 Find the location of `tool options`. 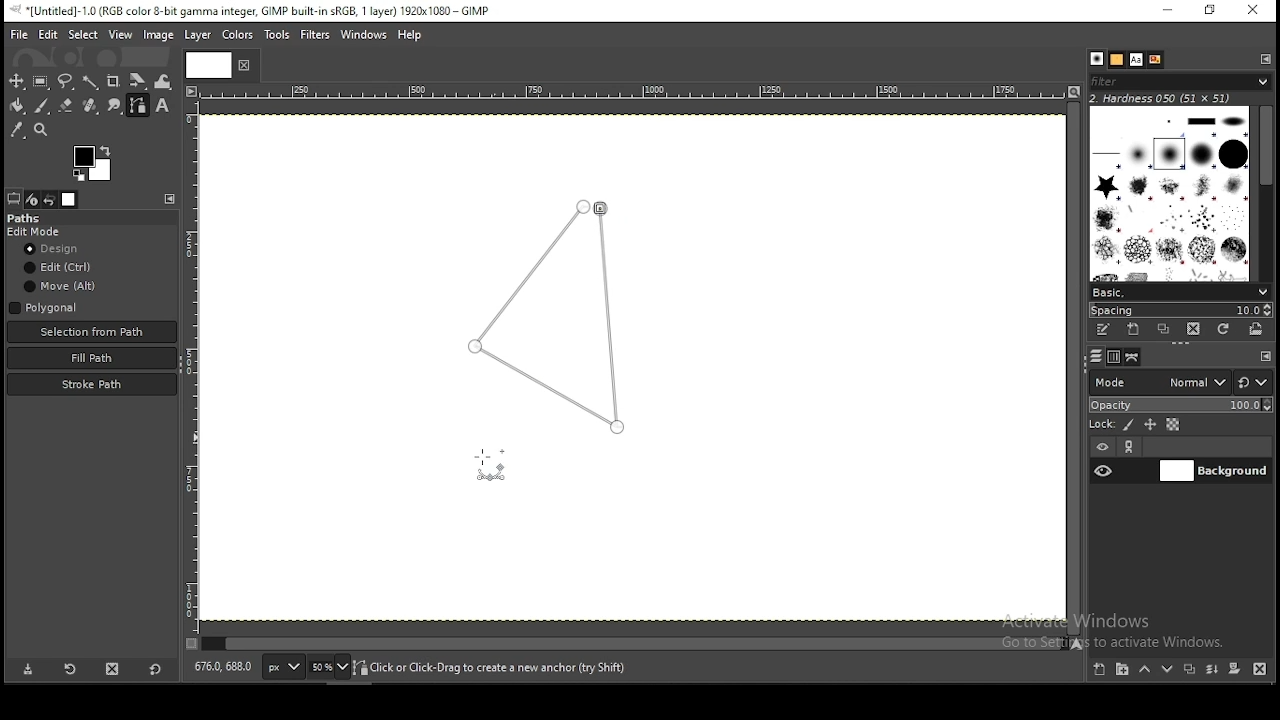

tool options is located at coordinates (14, 198).